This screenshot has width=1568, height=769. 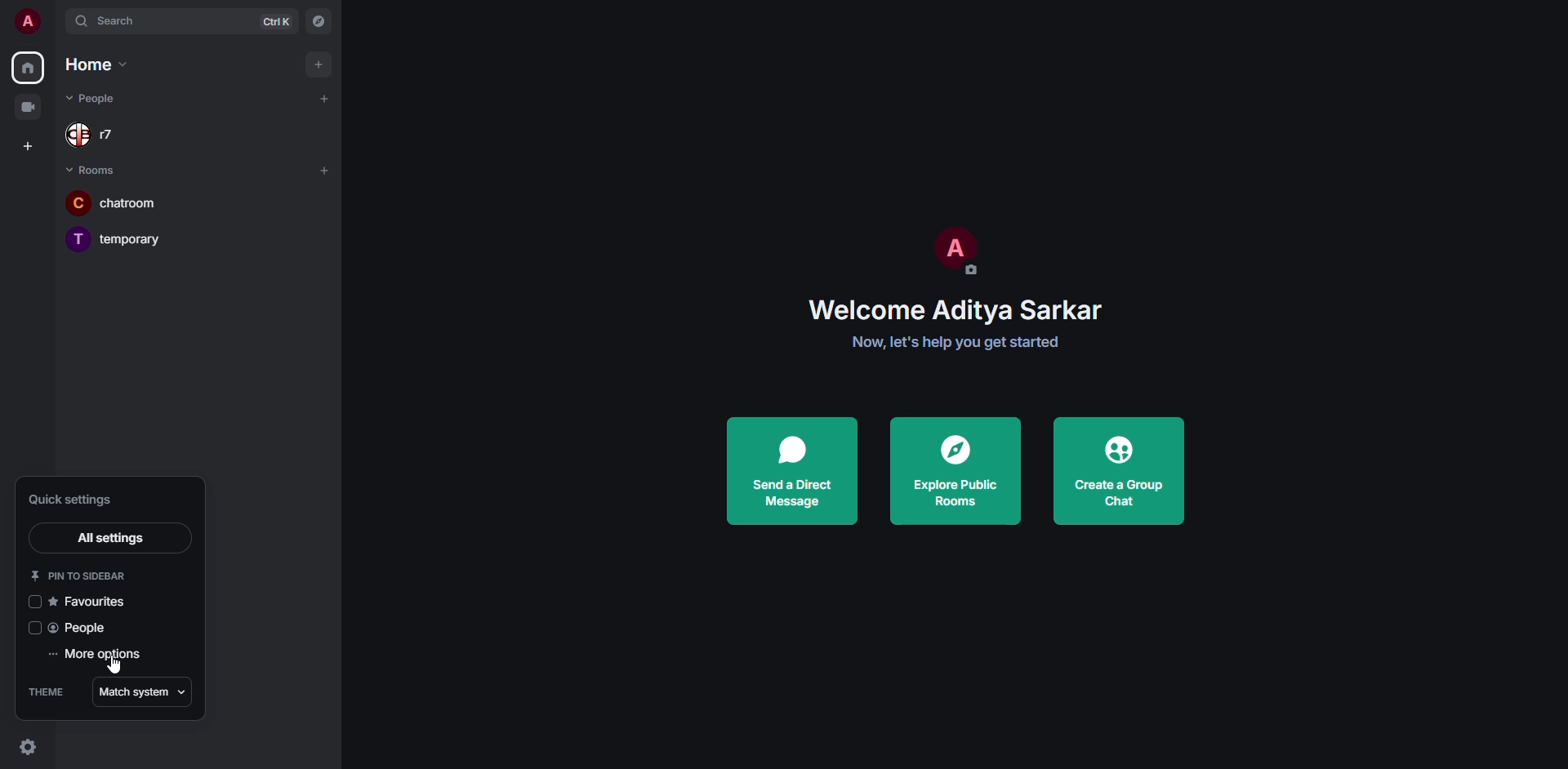 I want to click on send a direct message, so click(x=791, y=472).